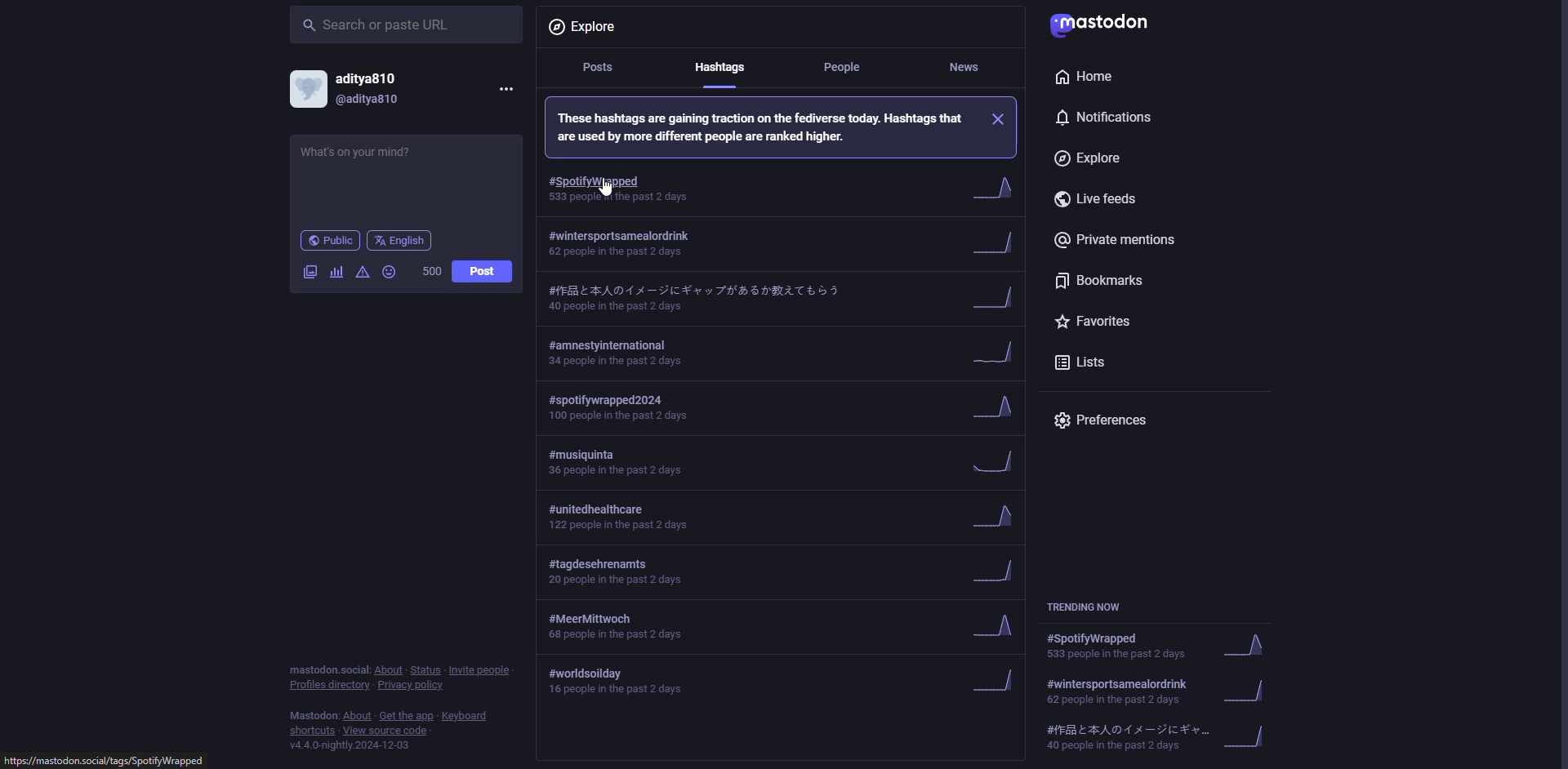  Describe the element at coordinates (995, 461) in the screenshot. I see `trend` at that location.